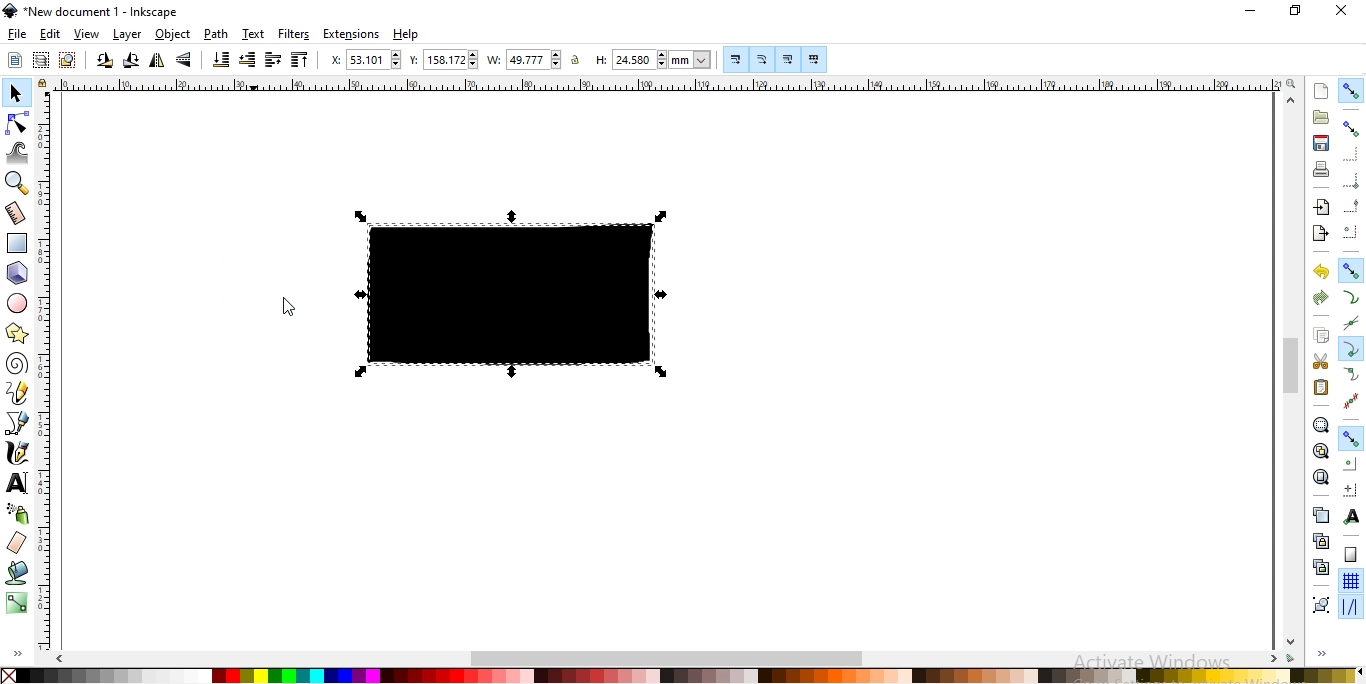 The width and height of the screenshot is (1366, 684). Describe the element at coordinates (18, 304) in the screenshot. I see `create circles, ellipses andarcs` at that location.